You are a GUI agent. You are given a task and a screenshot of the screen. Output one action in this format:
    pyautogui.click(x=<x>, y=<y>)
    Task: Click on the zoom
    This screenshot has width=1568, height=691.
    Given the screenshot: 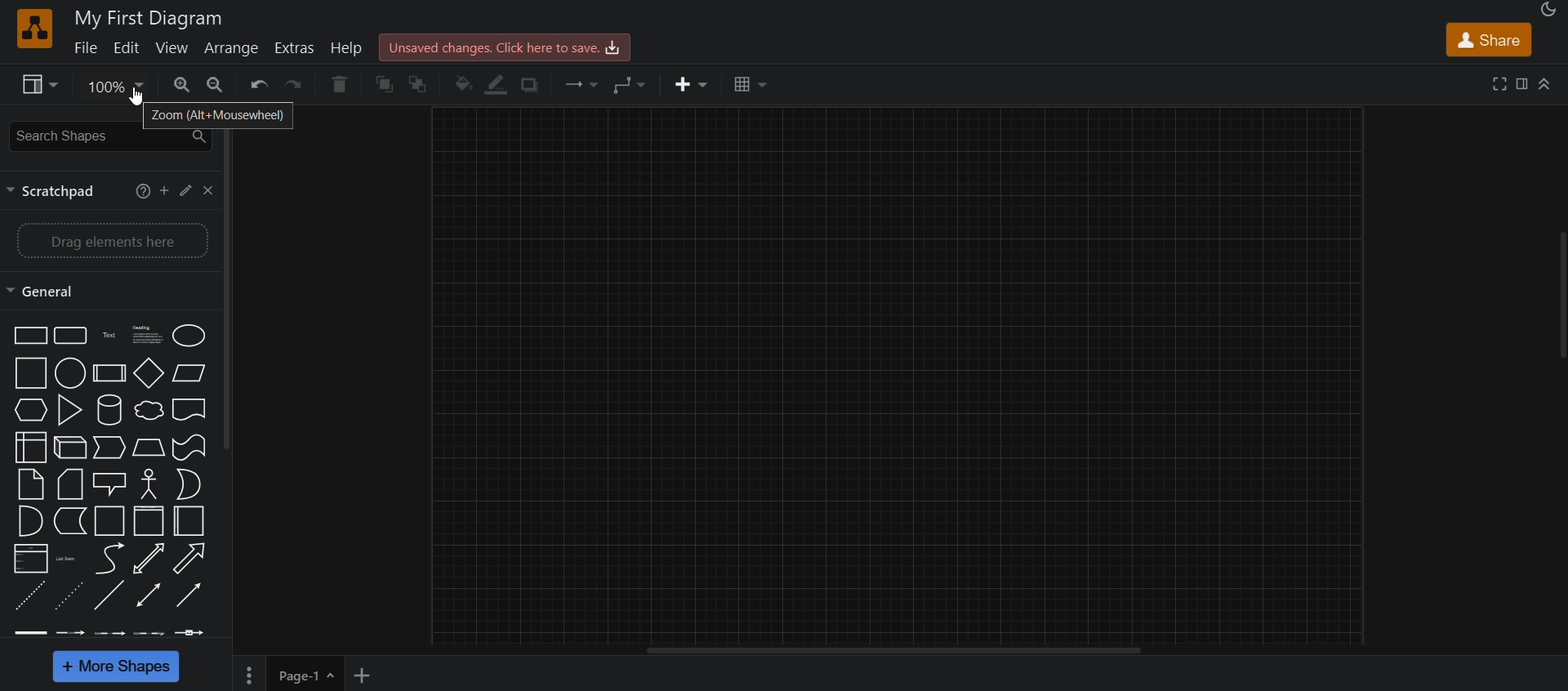 What is the action you would take?
    pyautogui.click(x=212, y=113)
    